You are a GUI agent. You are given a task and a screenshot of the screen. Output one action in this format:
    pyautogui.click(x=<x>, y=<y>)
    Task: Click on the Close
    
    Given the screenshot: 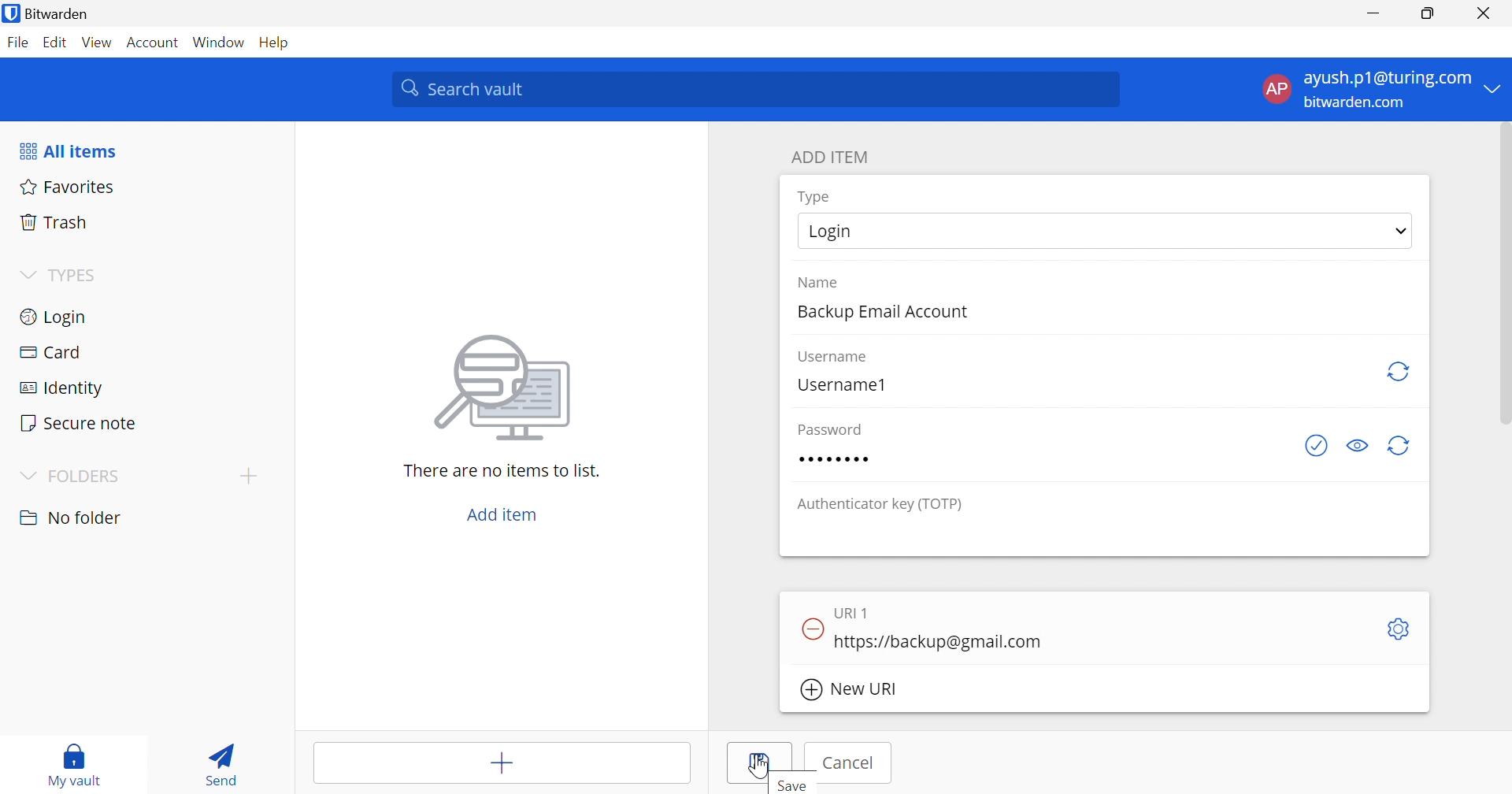 What is the action you would take?
    pyautogui.click(x=1484, y=13)
    